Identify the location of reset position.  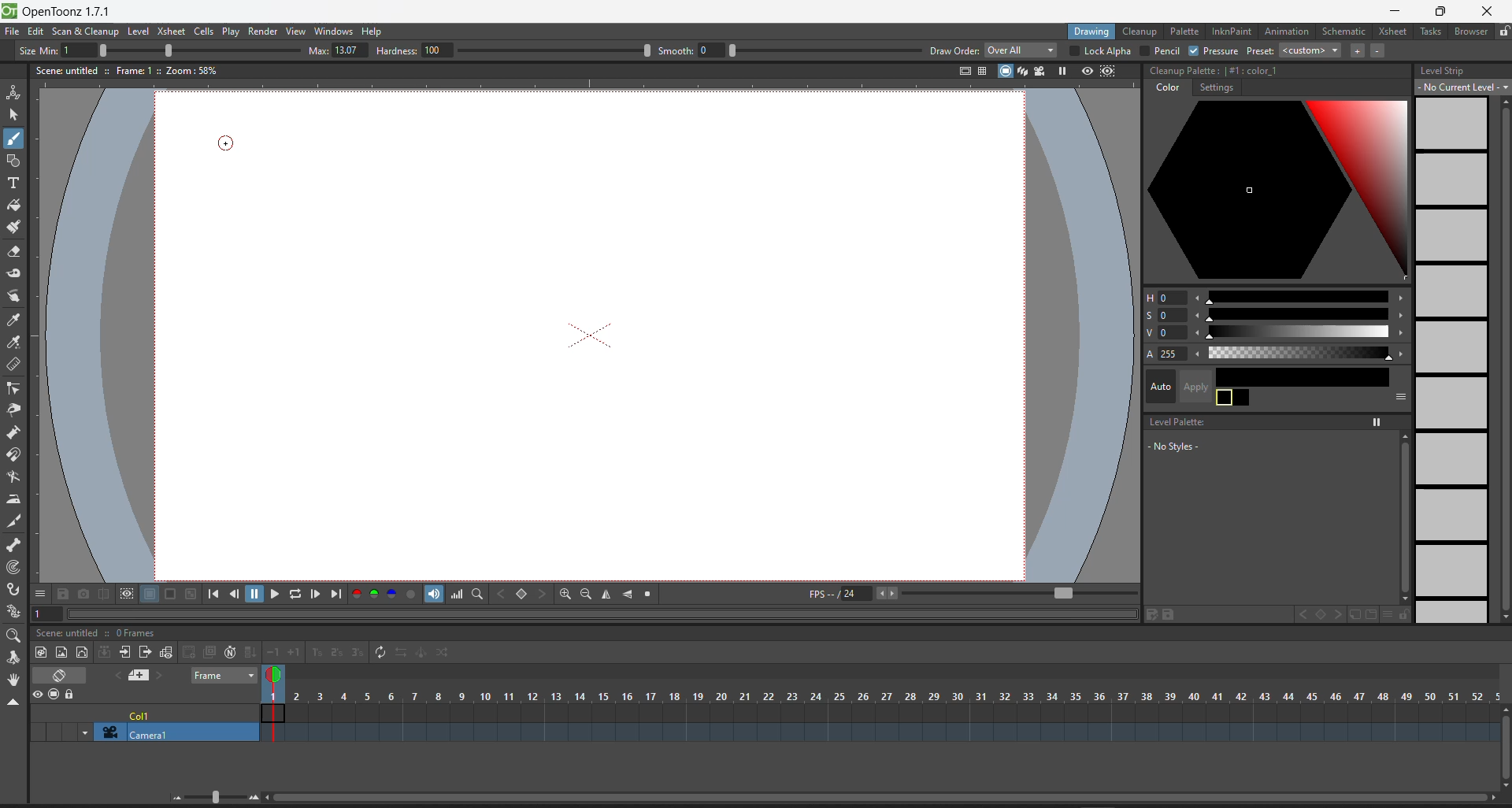
(1468, 51).